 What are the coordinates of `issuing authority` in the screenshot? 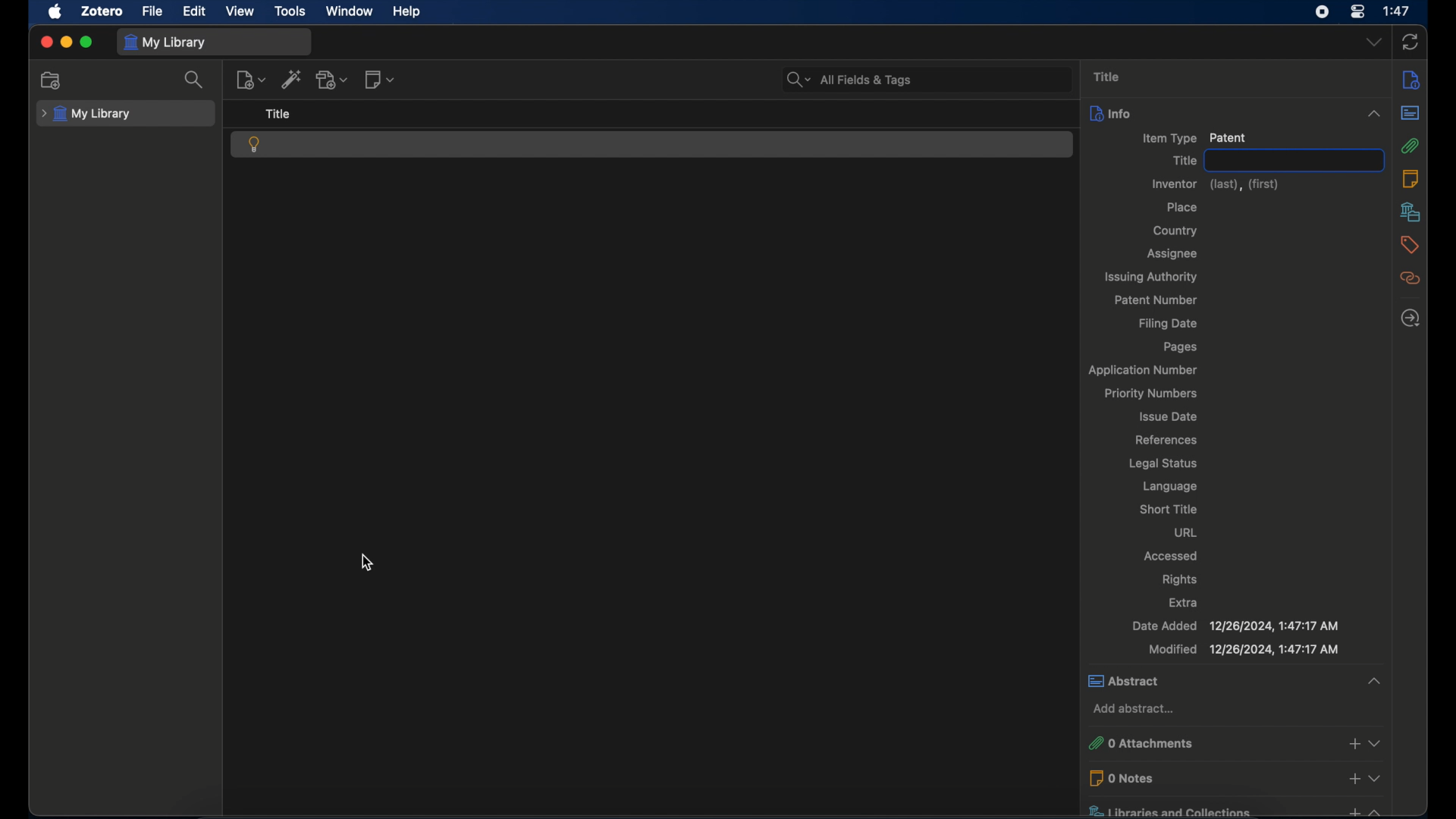 It's located at (1150, 277).